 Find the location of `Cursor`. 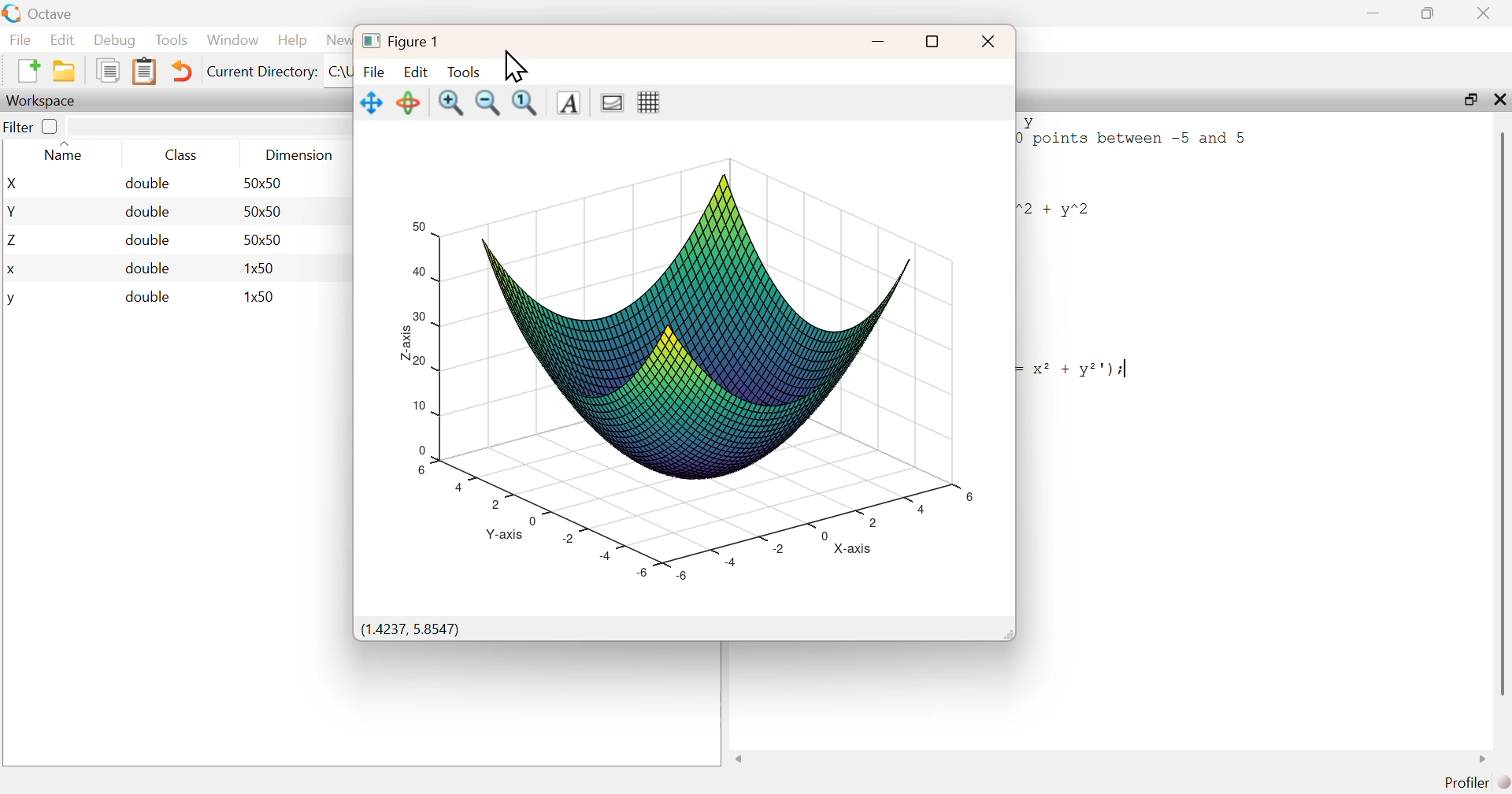

Cursor is located at coordinates (513, 67).